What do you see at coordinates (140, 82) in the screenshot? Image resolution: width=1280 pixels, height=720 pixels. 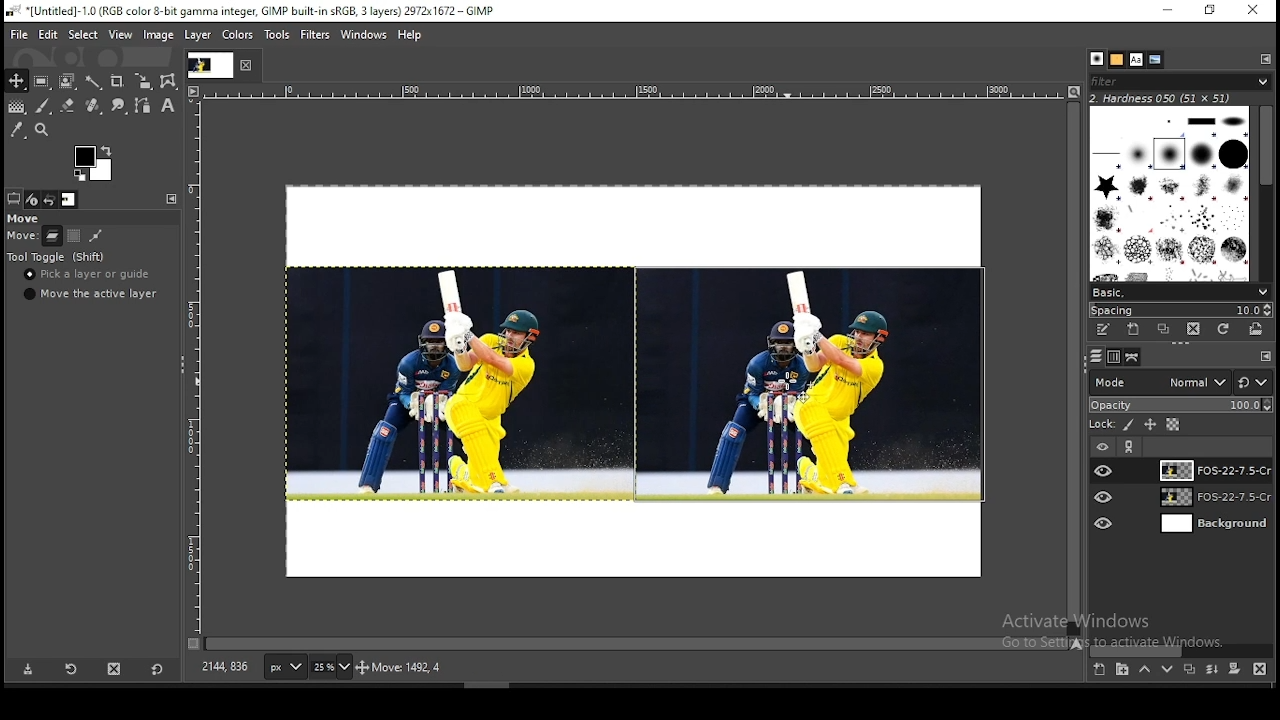 I see `crop tool` at bounding box center [140, 82].